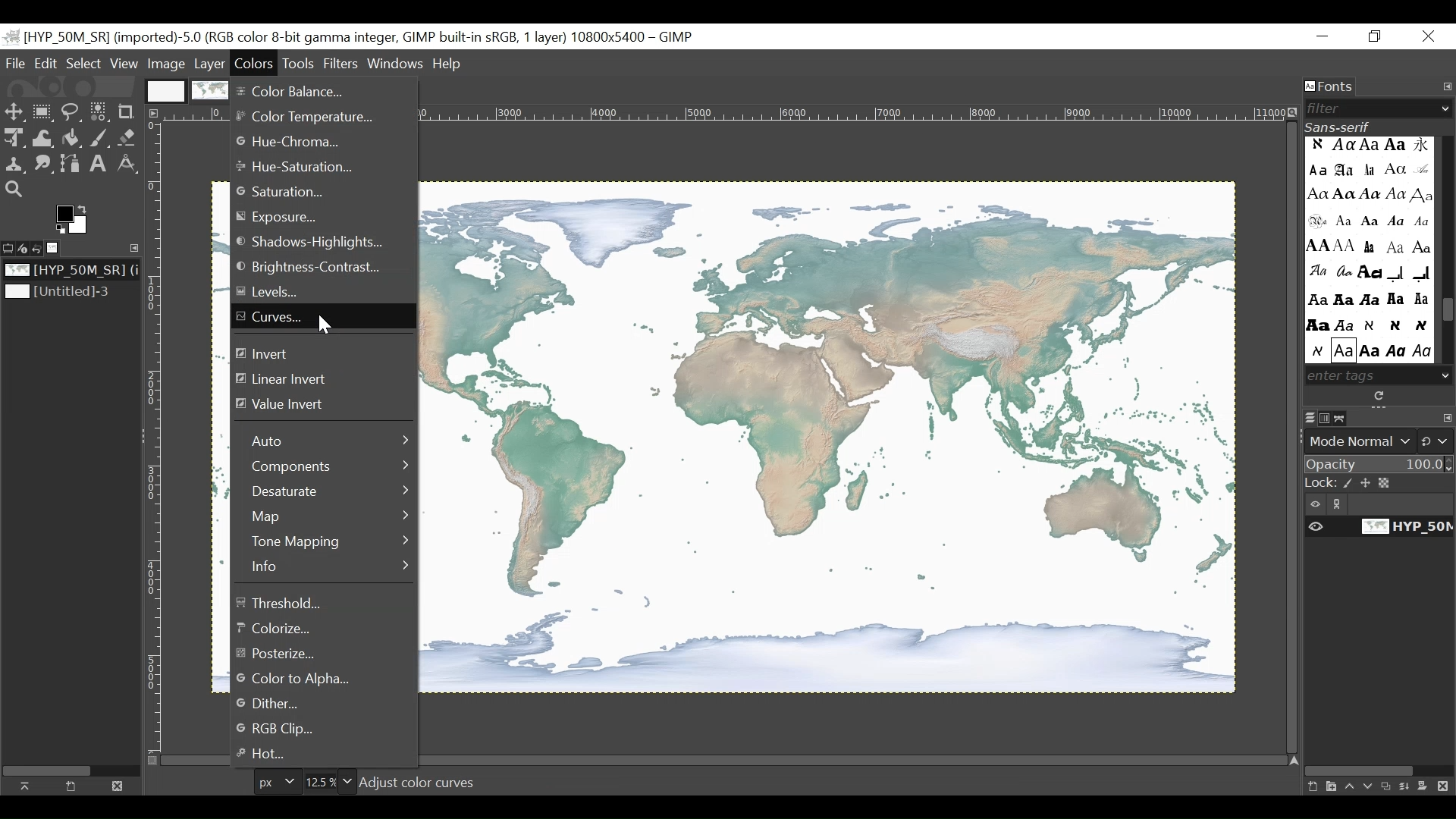 The image size is (1456, 819). I want to click on Windows, so click(397, 61).